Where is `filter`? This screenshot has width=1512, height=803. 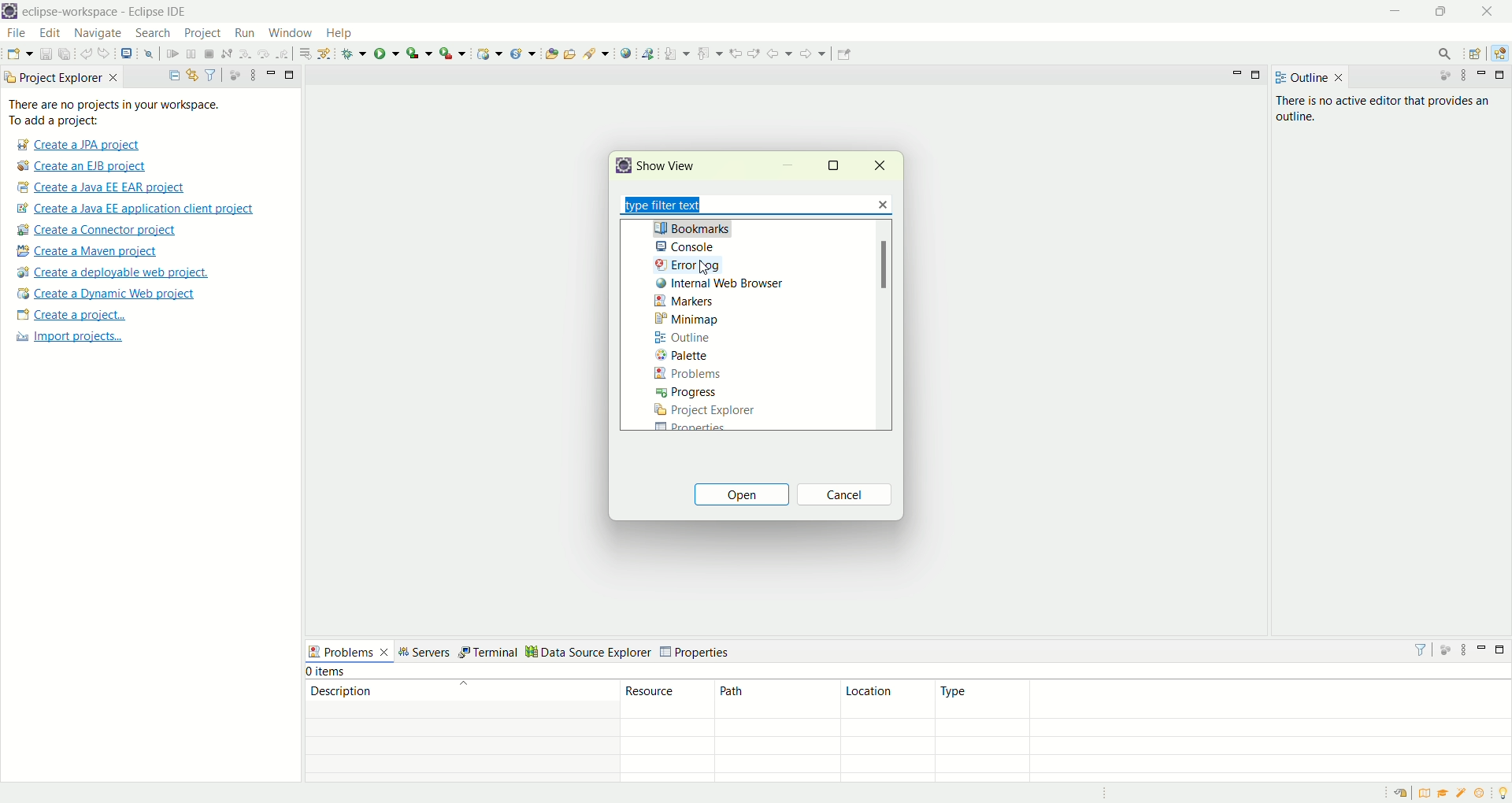
filter is located at coordinates (211, 74).